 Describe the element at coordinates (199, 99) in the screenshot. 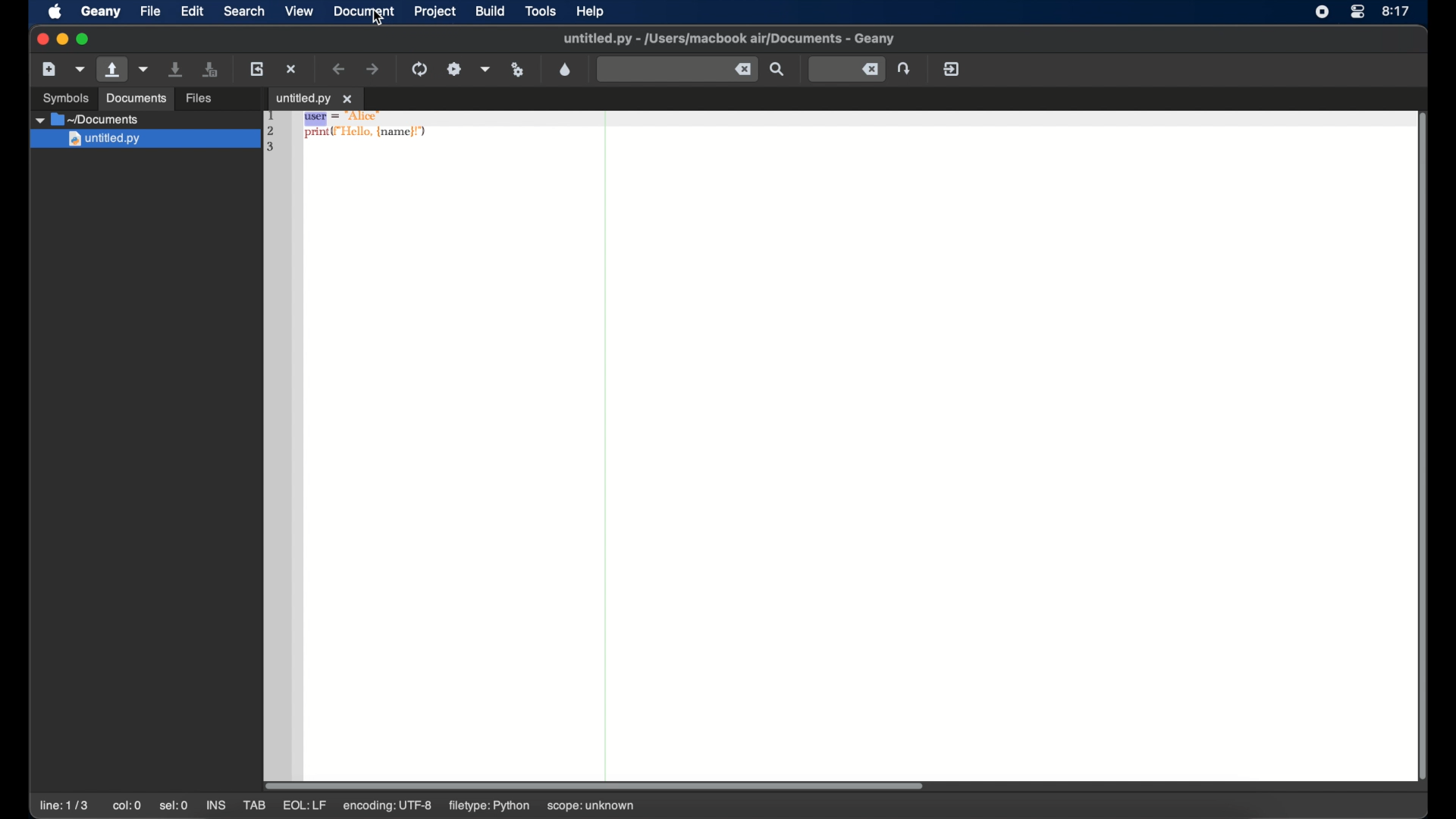

I see `files` at that location.